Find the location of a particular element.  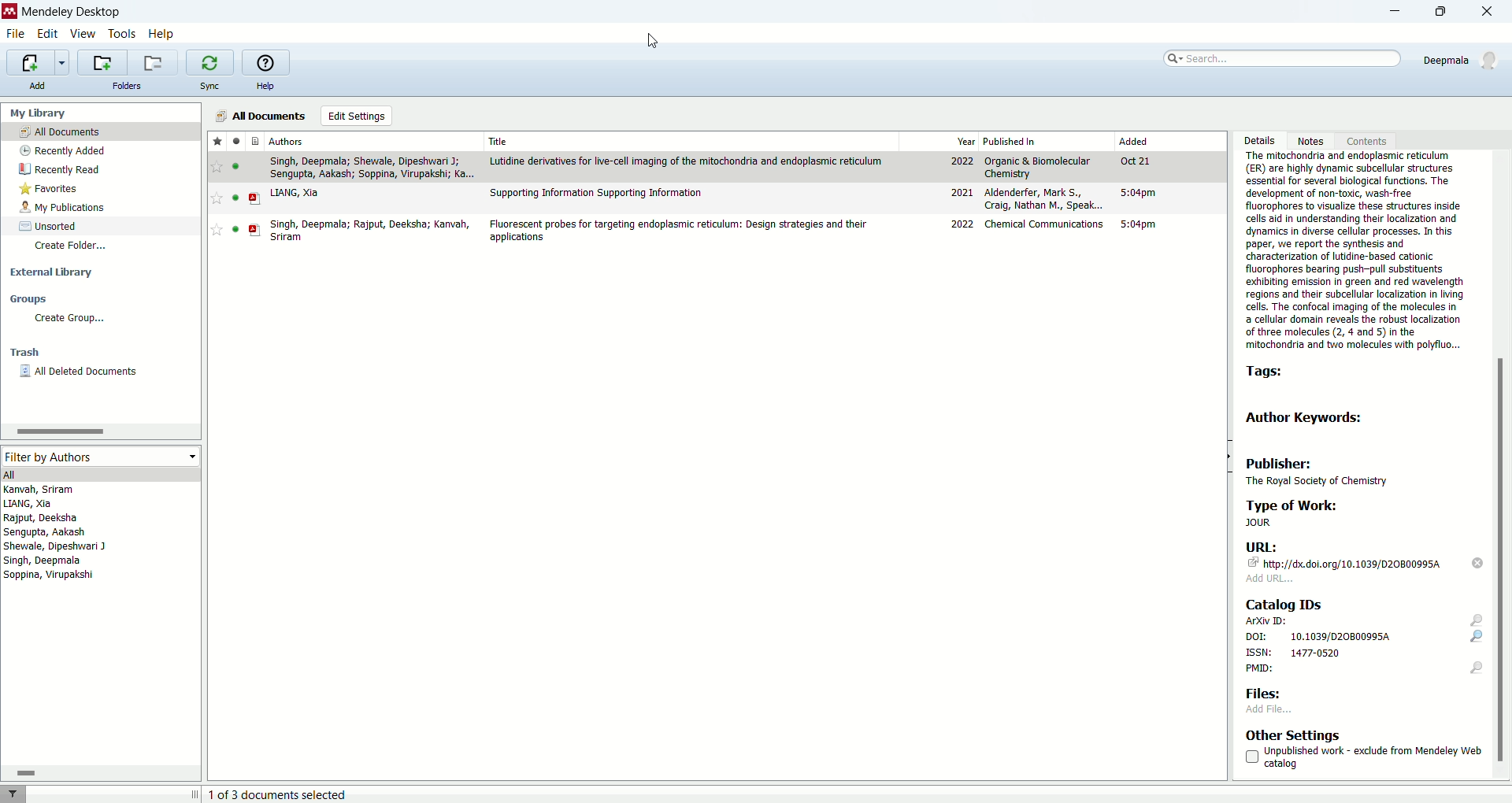

document type is located at coordinates (257, 140).